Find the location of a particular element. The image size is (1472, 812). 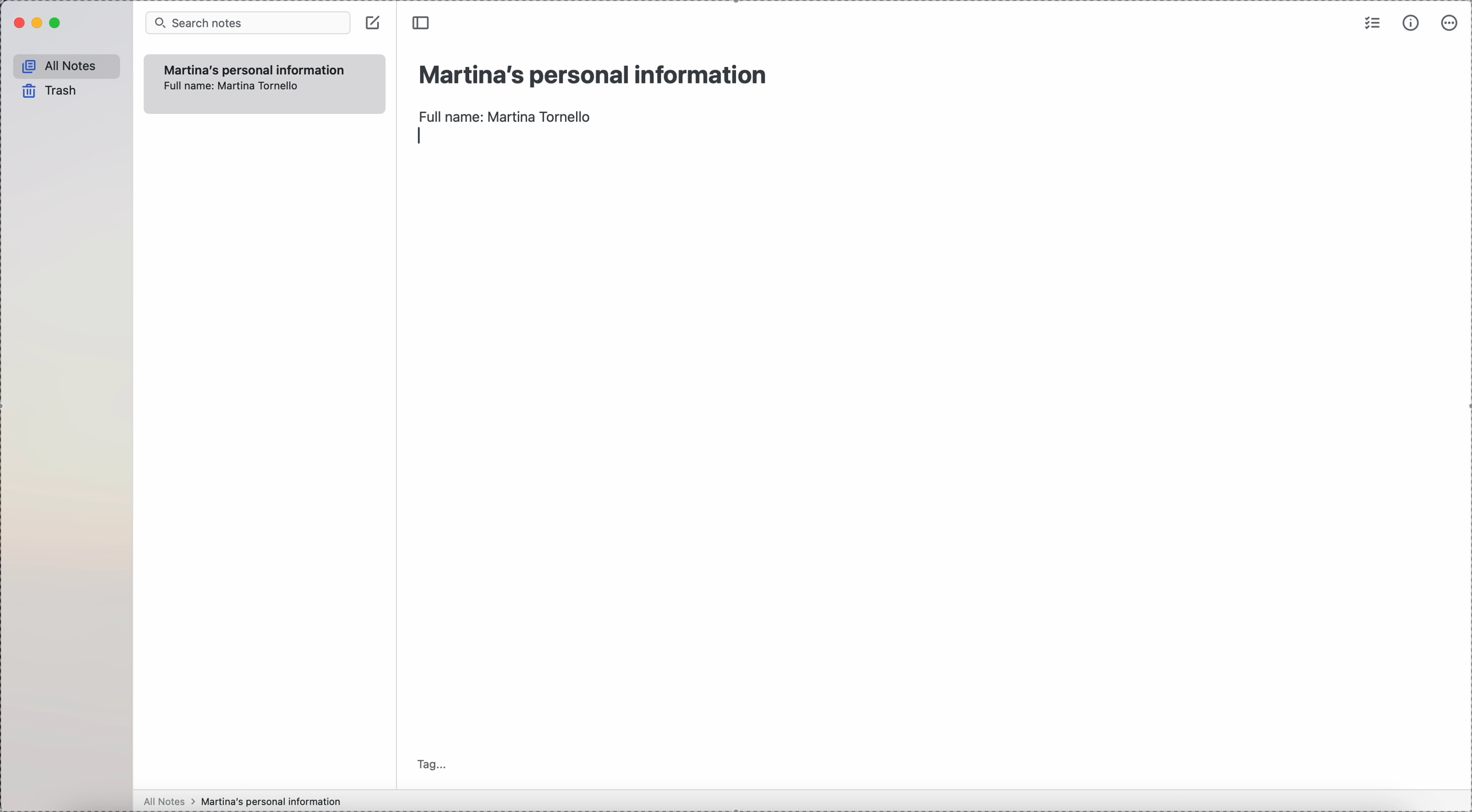

minimize Simplenote is located at coordinates (39, 23).